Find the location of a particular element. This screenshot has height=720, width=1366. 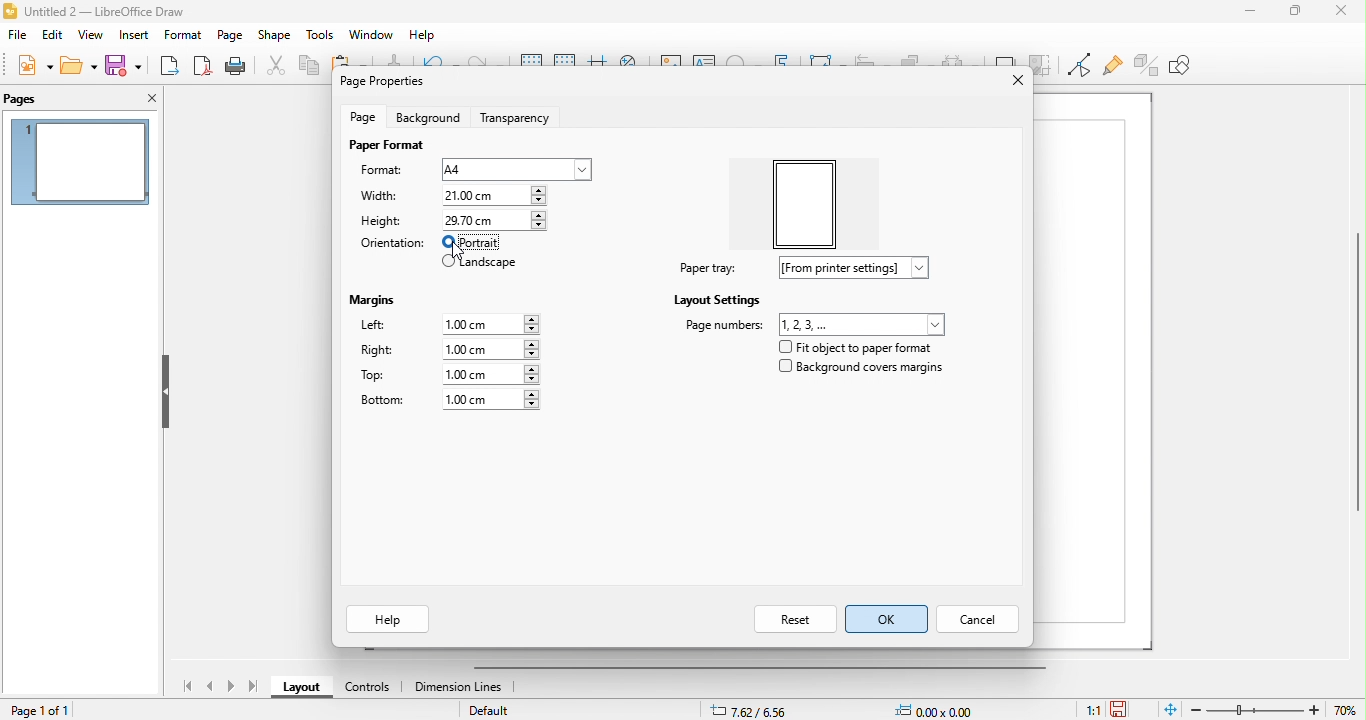

clone is located at coordinates (393, 61).